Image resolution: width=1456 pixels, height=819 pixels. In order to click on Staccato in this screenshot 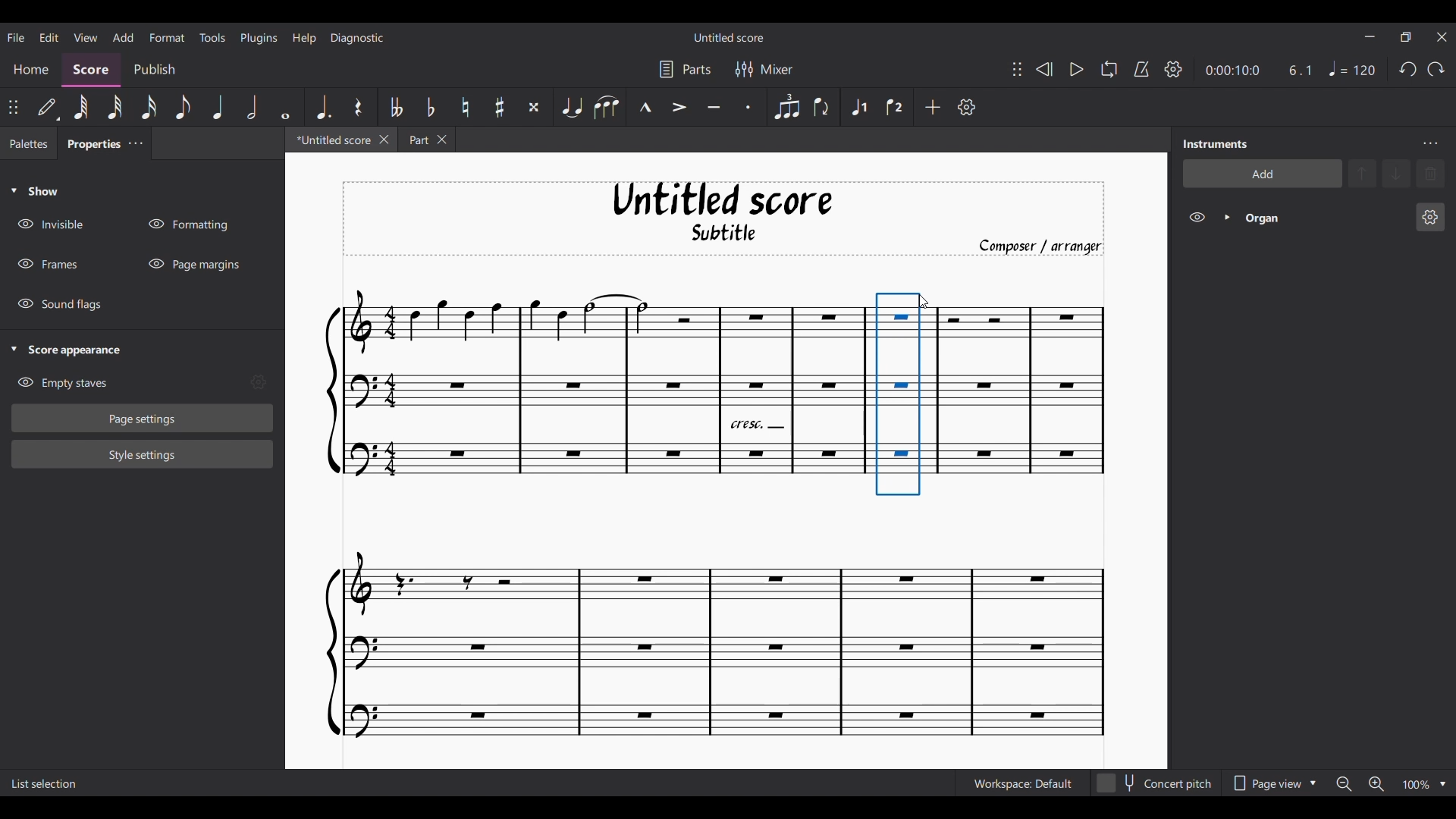, I will do `click(752, 108)`.